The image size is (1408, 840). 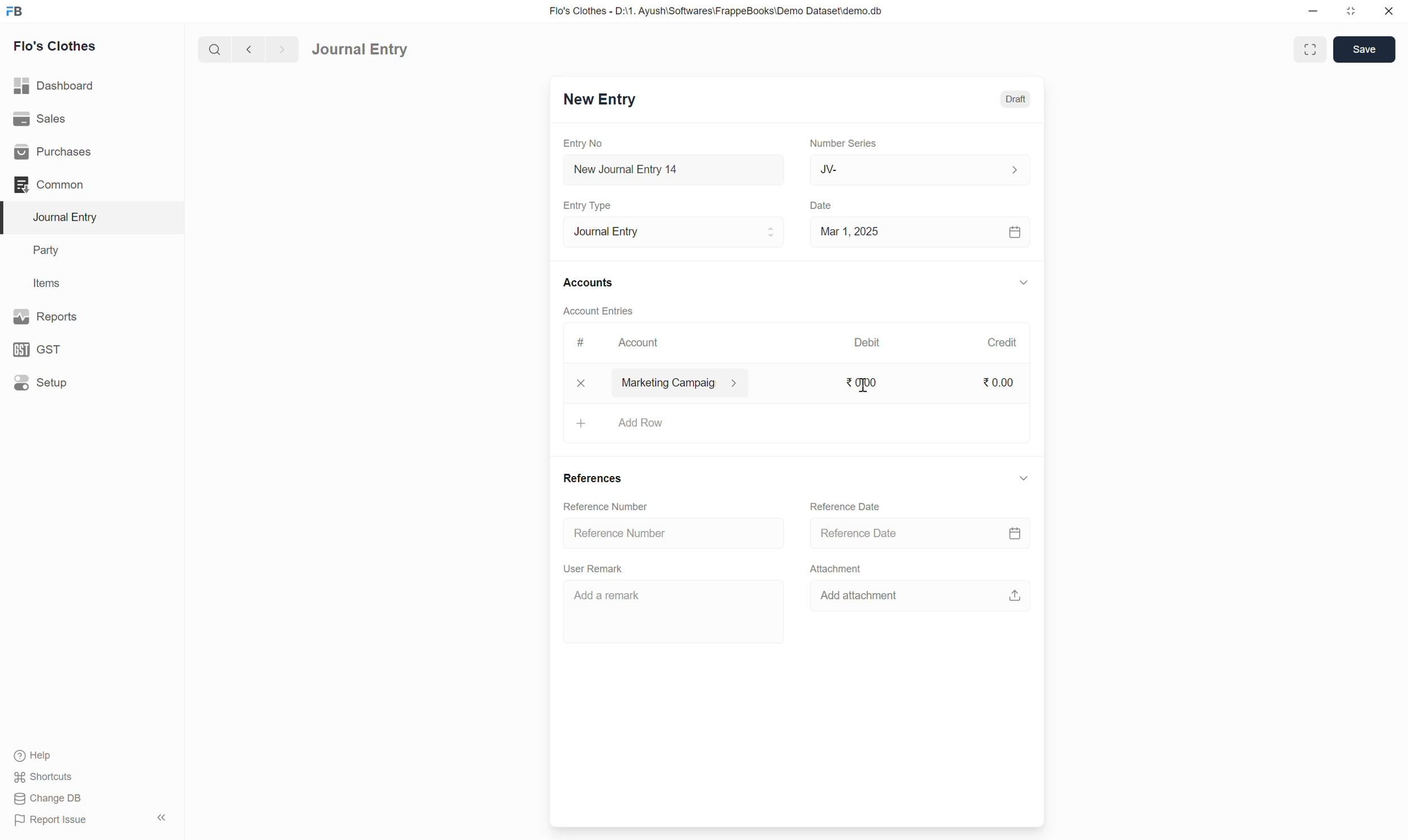 I want to click on Save, so click(x=1365, y=50).